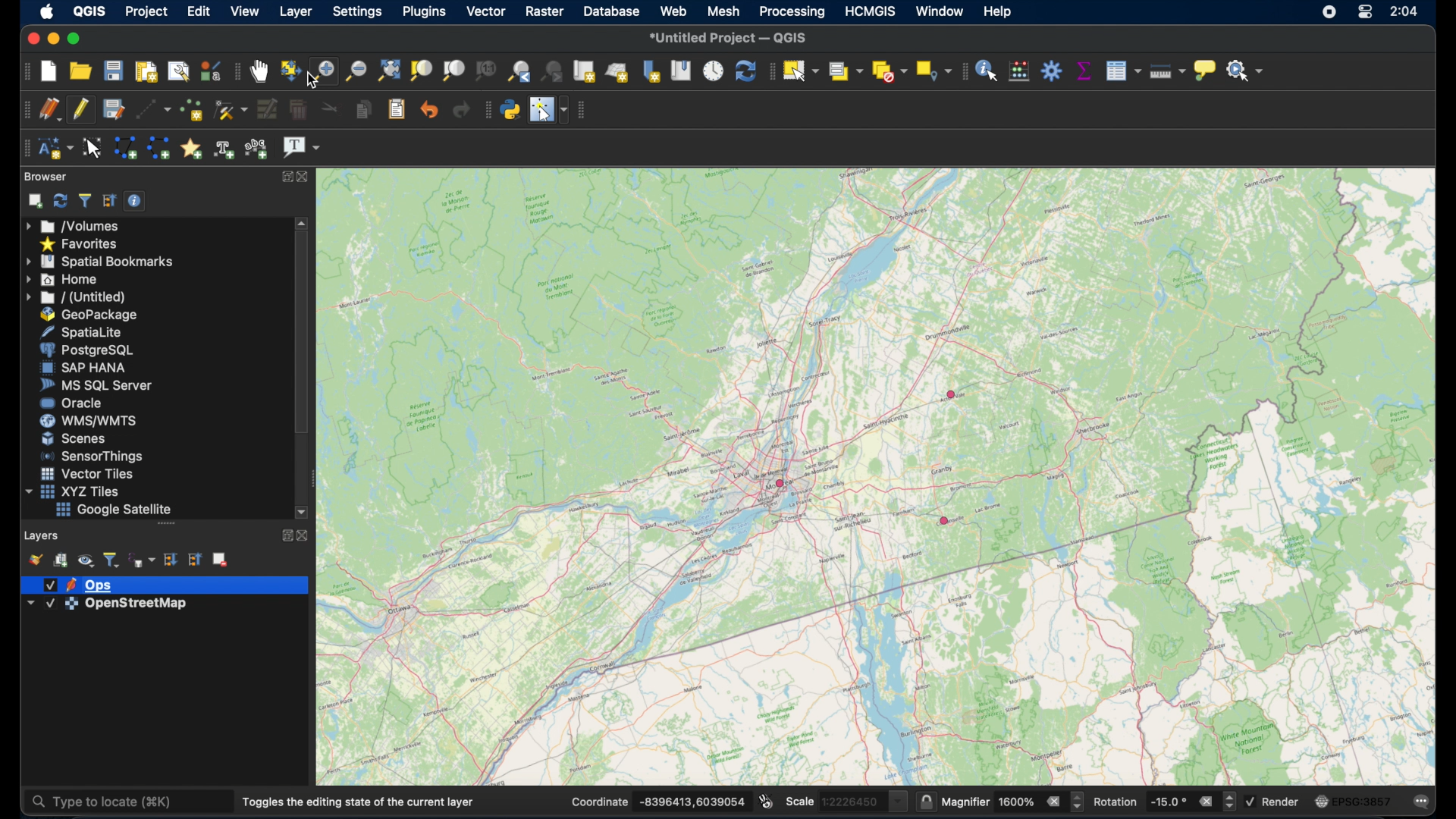 The image size is (1456, 819). I want to click on screen recorder icon, so click(1332, 13).